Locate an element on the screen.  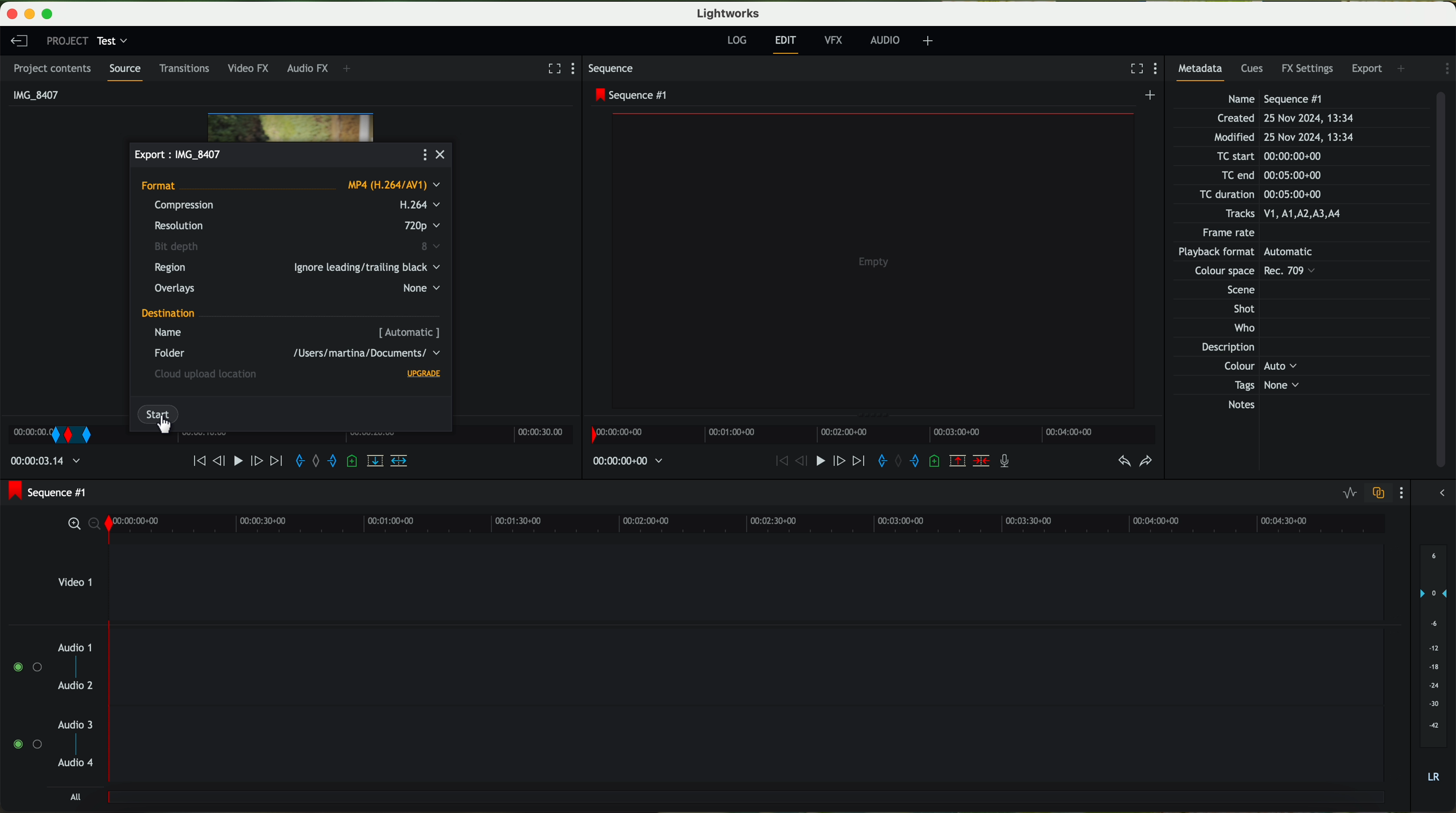
bit depth is located at coordinates (300, 247).